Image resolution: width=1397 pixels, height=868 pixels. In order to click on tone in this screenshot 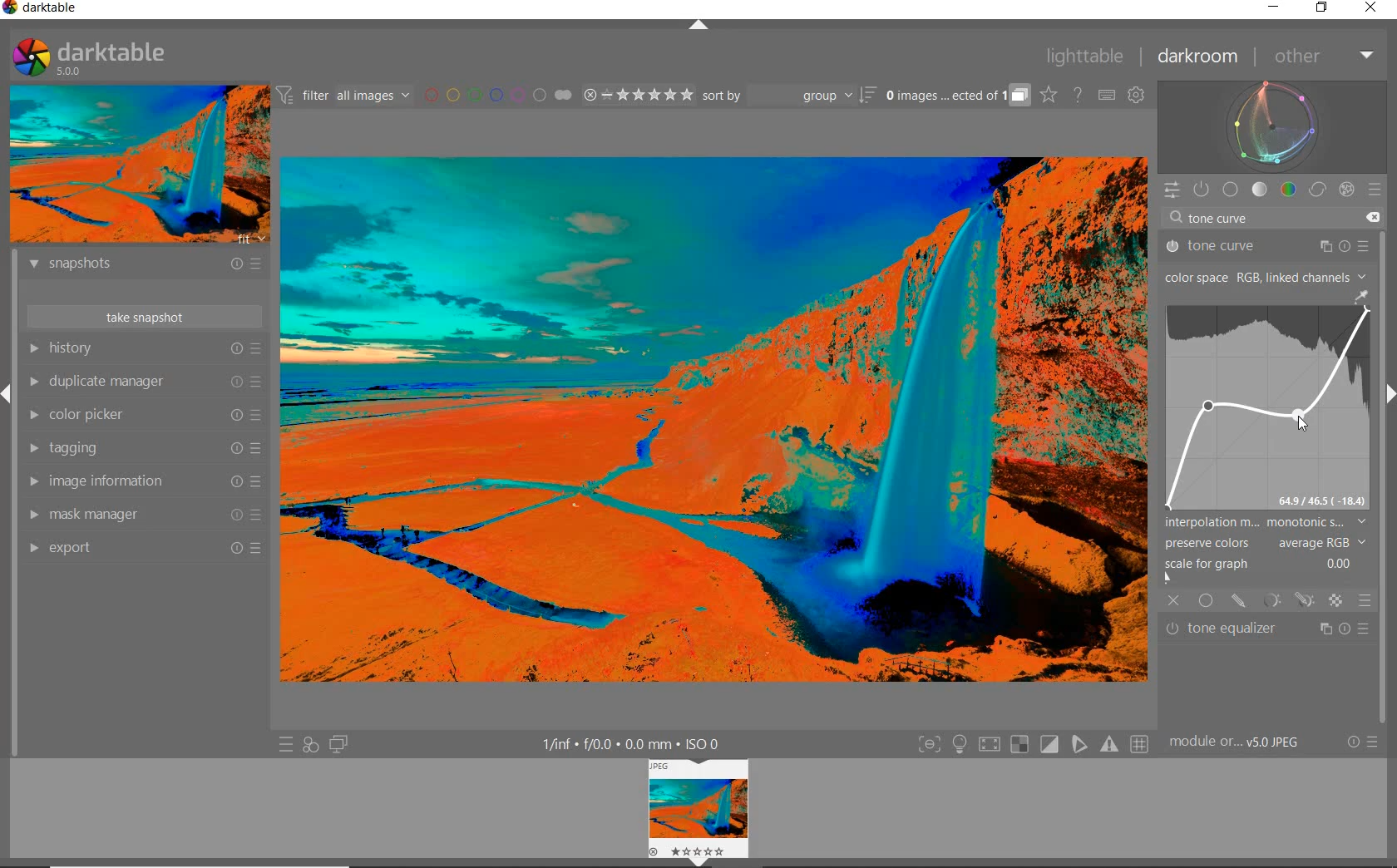, I will do `click(1260, 190)`.